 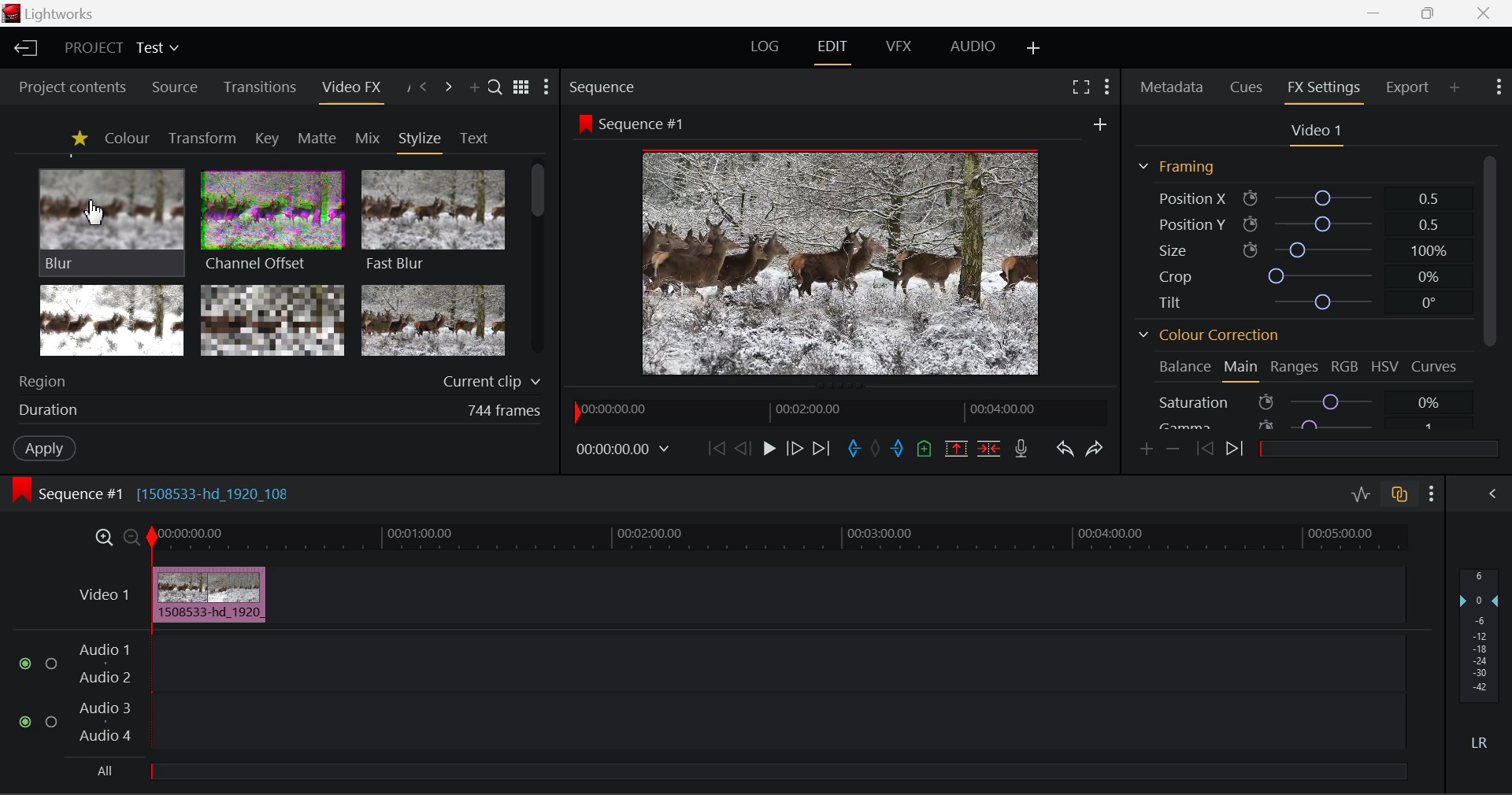 I want to click on Saturation, so click(x=1310, y=401).